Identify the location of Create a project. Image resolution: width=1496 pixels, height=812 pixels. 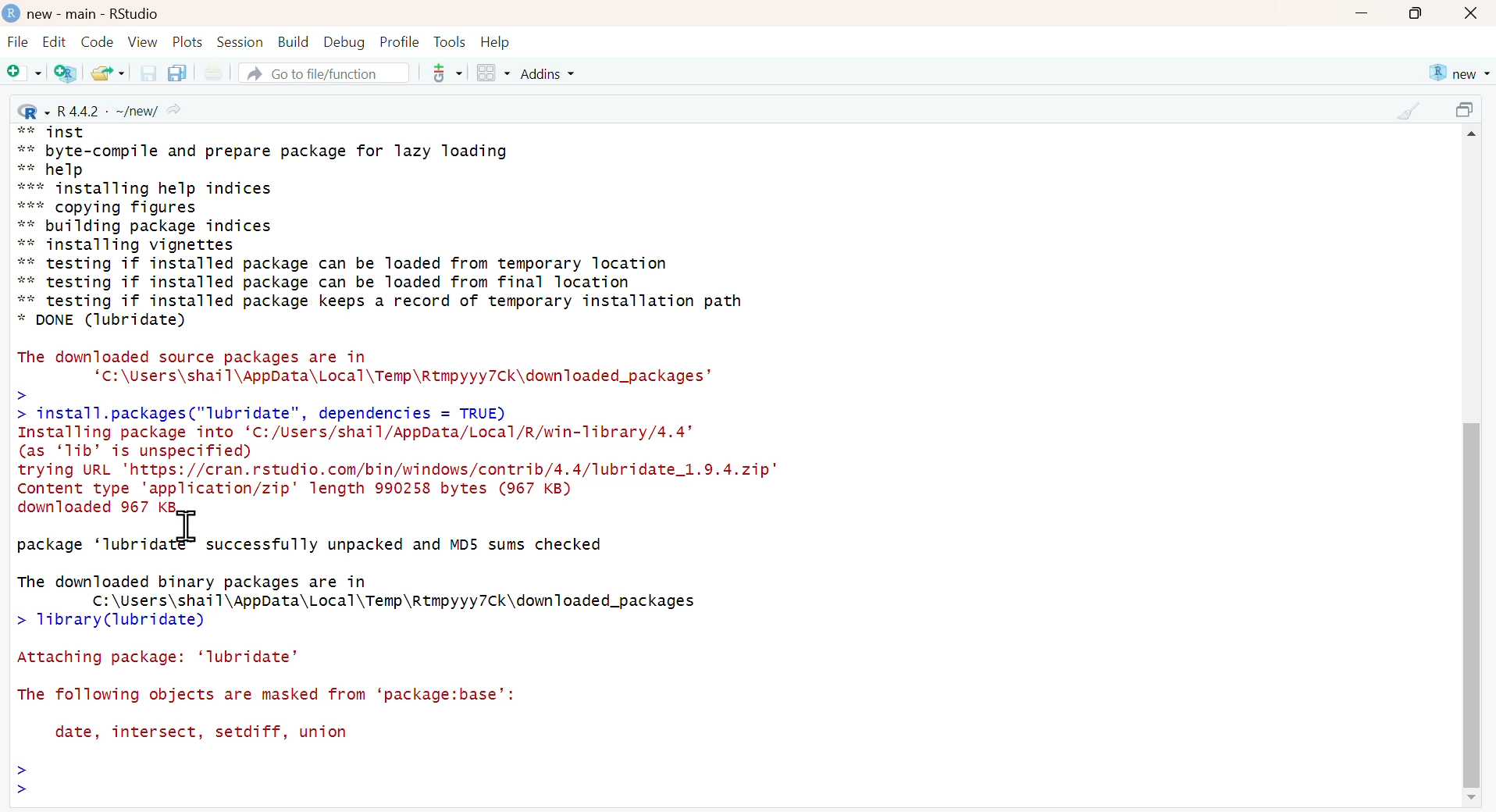
(67, 73).